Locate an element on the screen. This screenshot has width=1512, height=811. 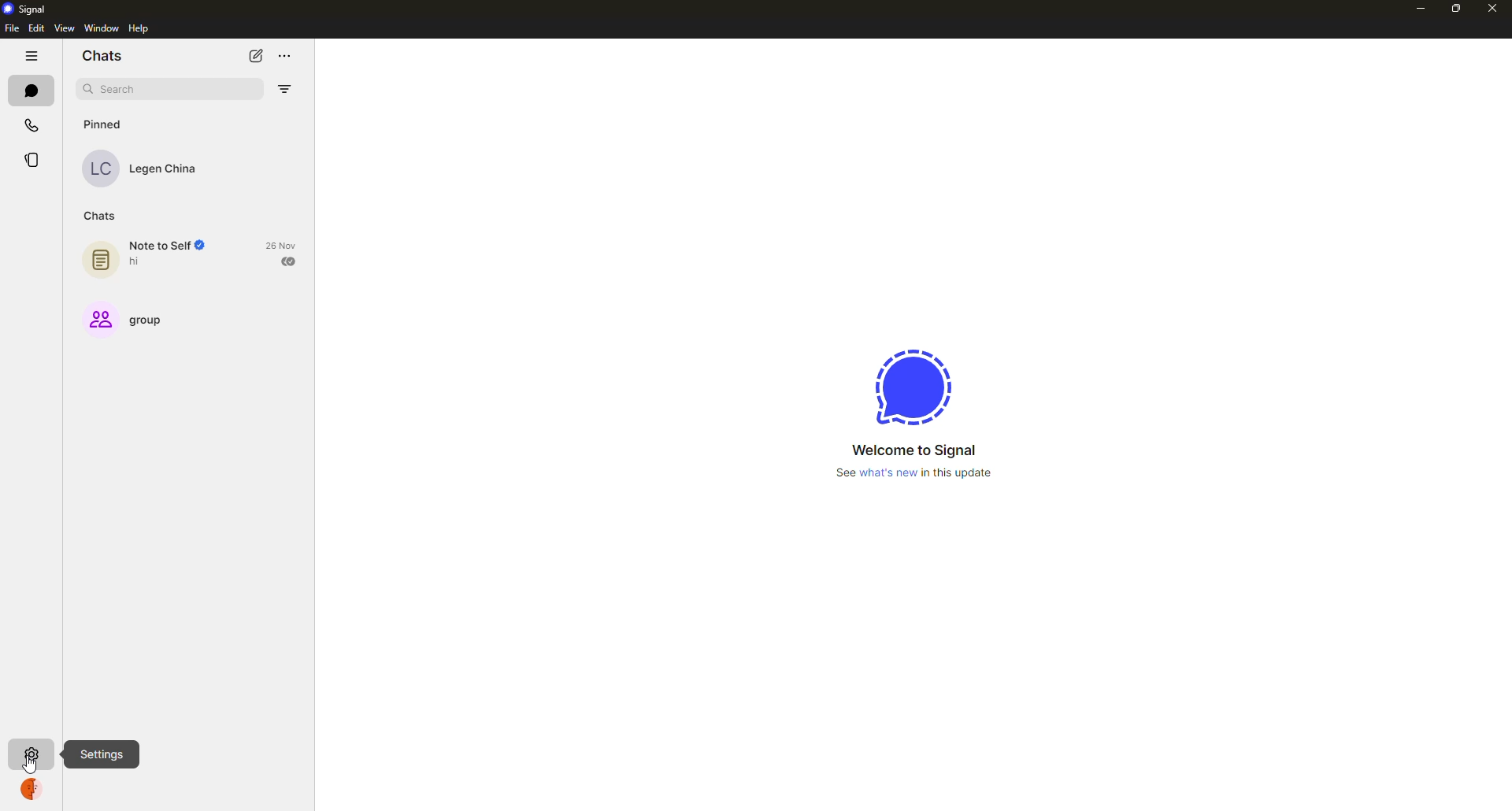
calls is located at coordinates (28, 124).